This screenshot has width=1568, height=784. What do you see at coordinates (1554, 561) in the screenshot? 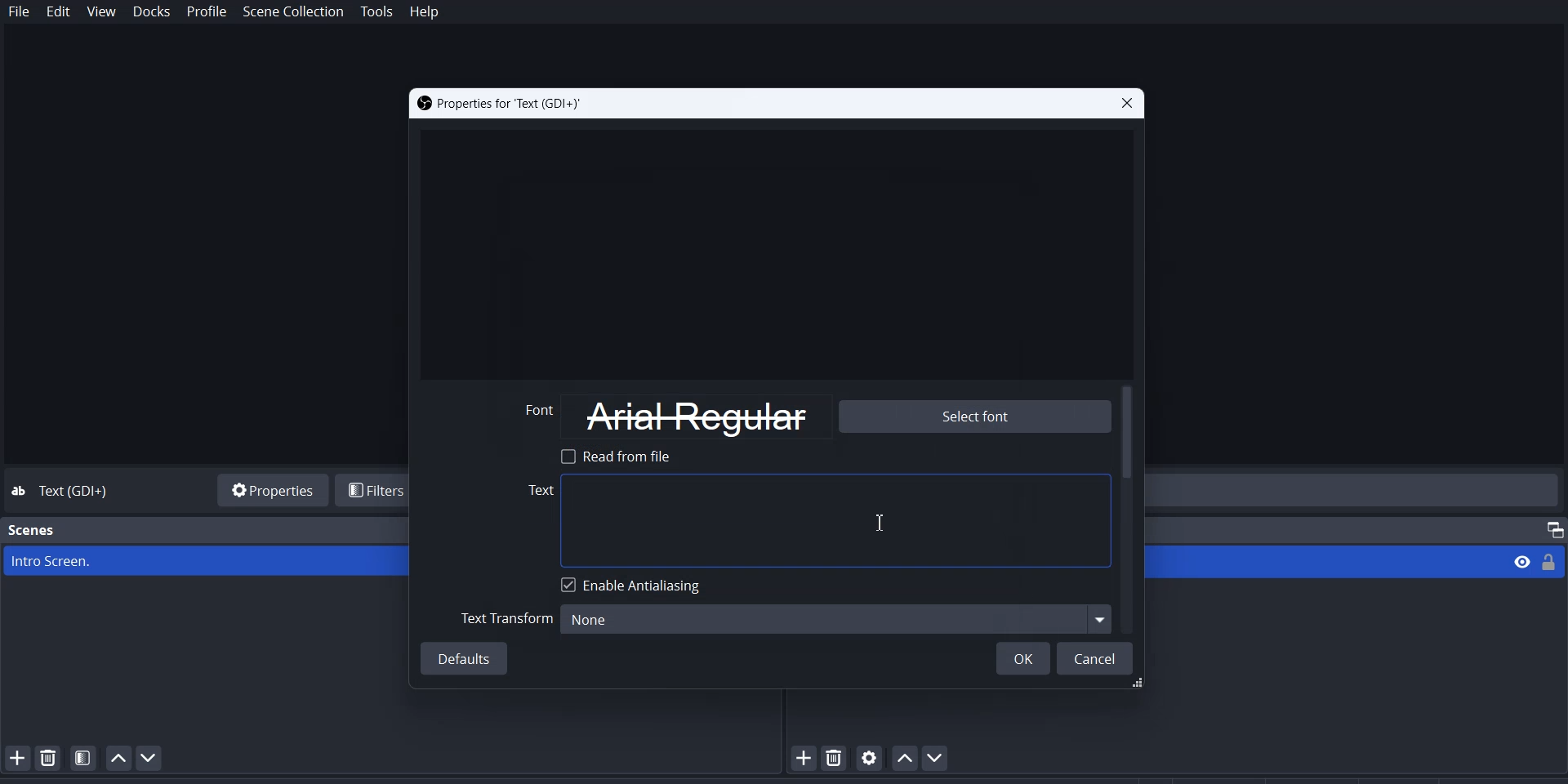
I see `Lock` at bounding box center [1554, 561].